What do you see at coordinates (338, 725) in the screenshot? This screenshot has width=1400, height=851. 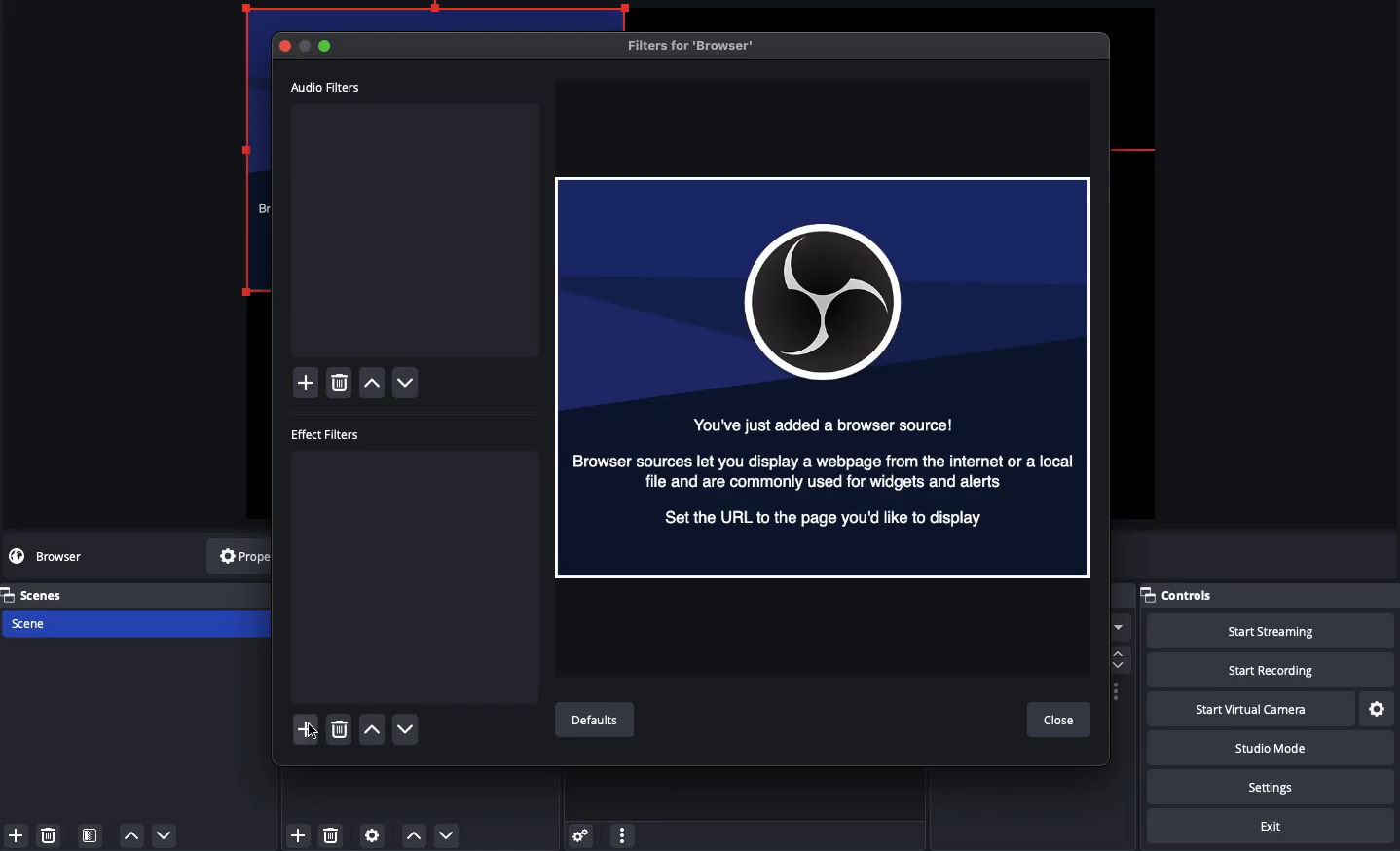 I see `delete` at bounding box center [338, 725].